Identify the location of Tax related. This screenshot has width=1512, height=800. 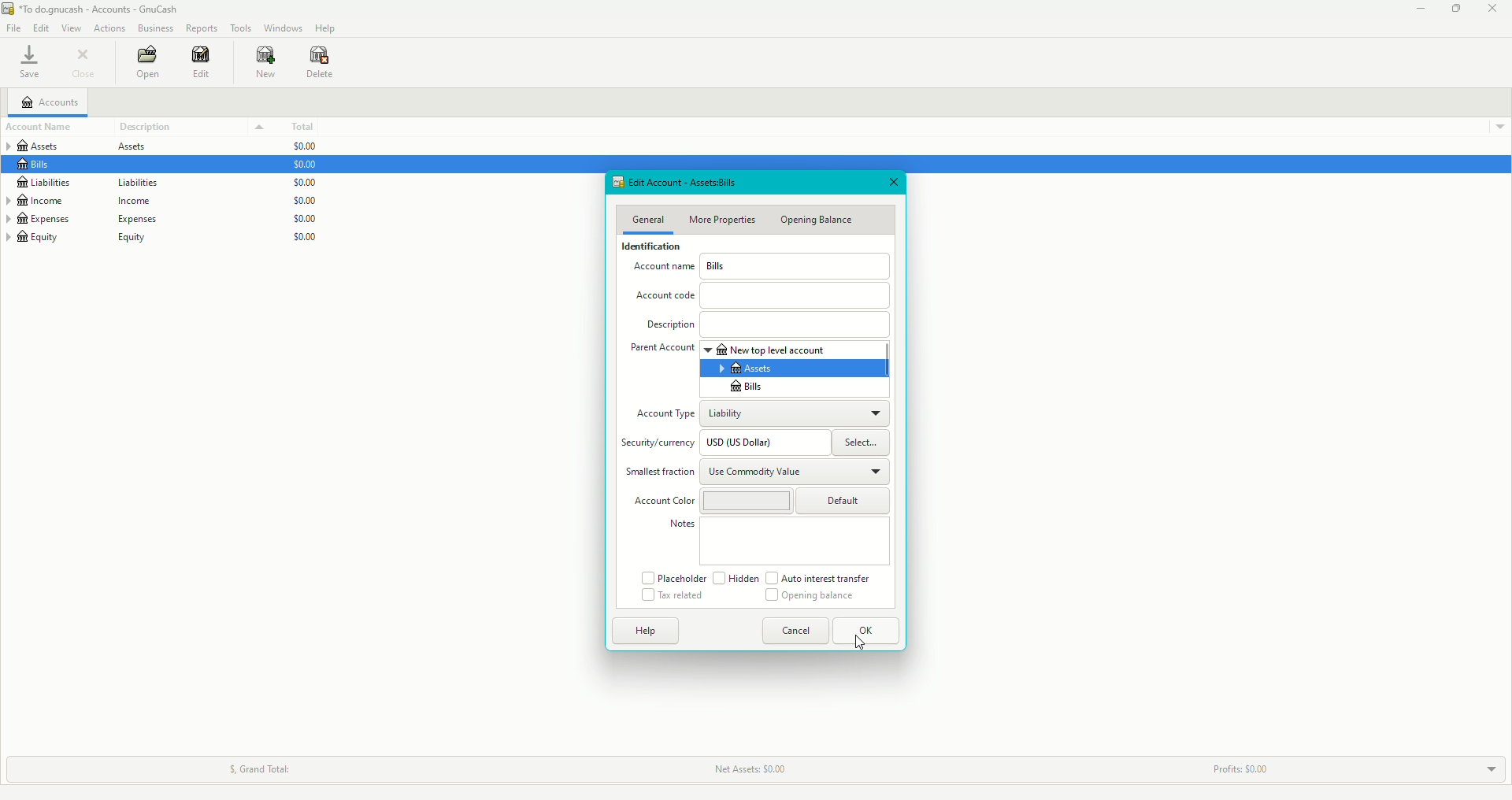
(673, 595).